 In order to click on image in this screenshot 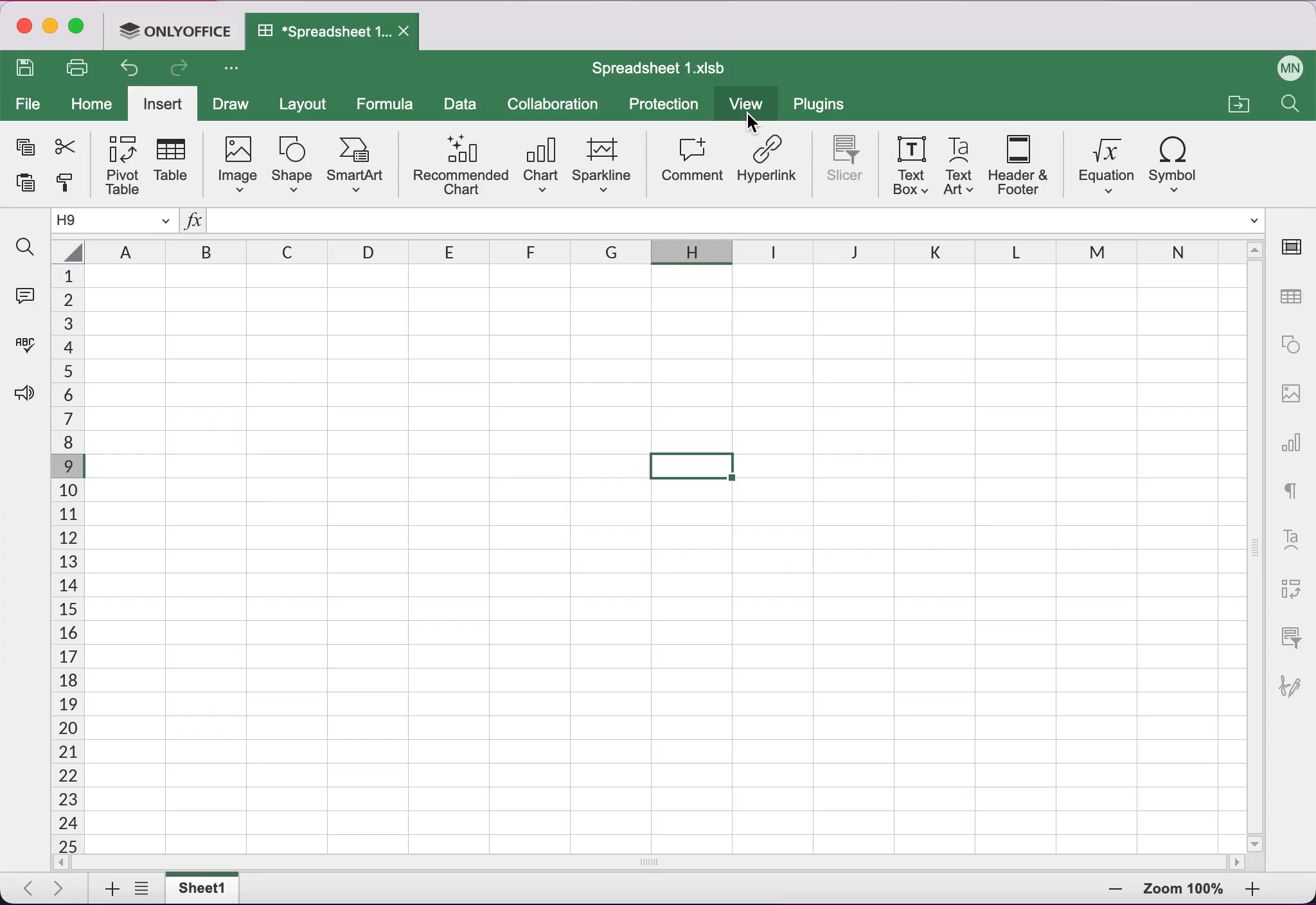, I will do `click(1289, 400)`.